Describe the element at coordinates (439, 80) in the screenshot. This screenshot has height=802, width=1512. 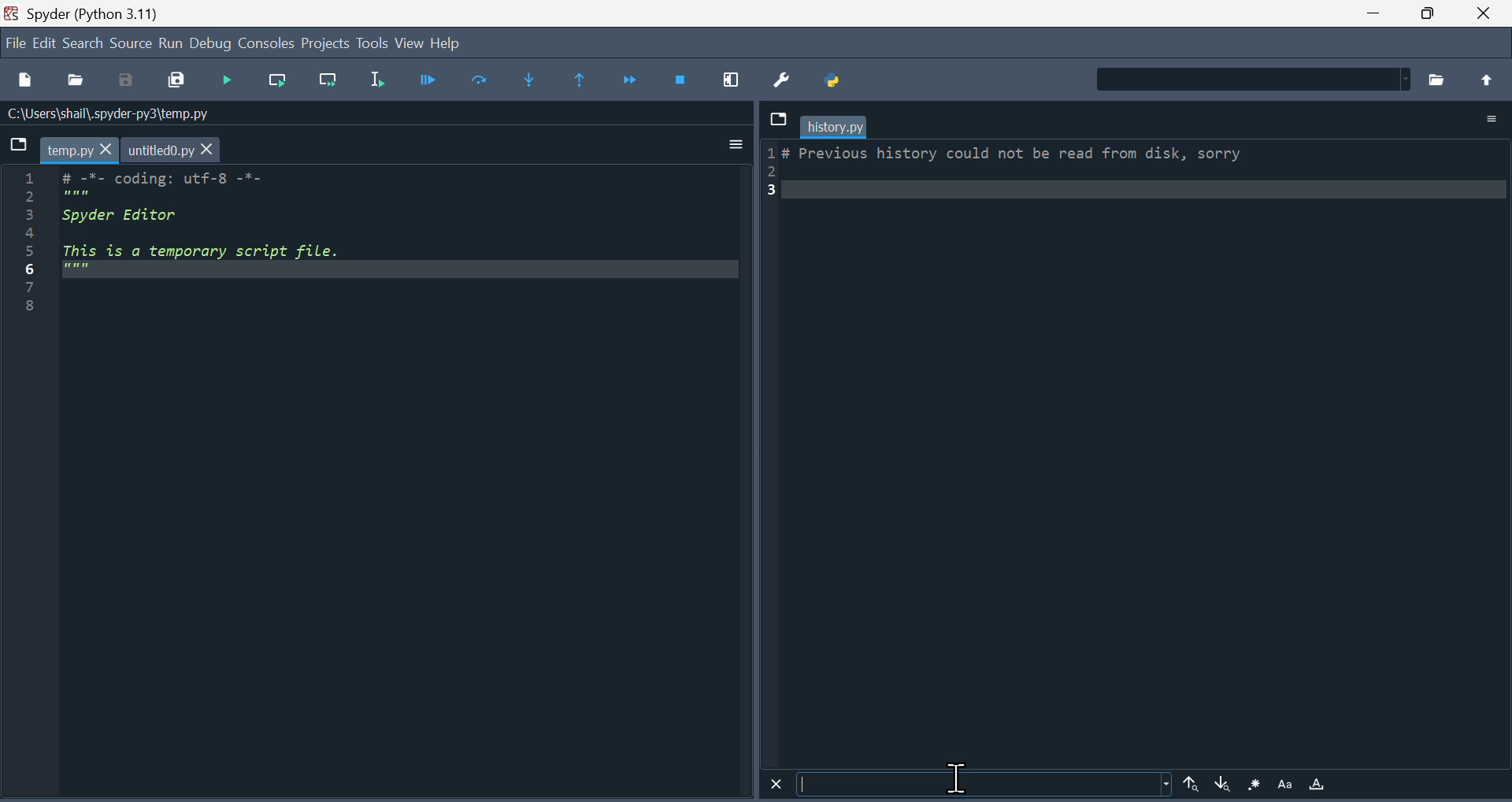
I see `Debug file` at that location.